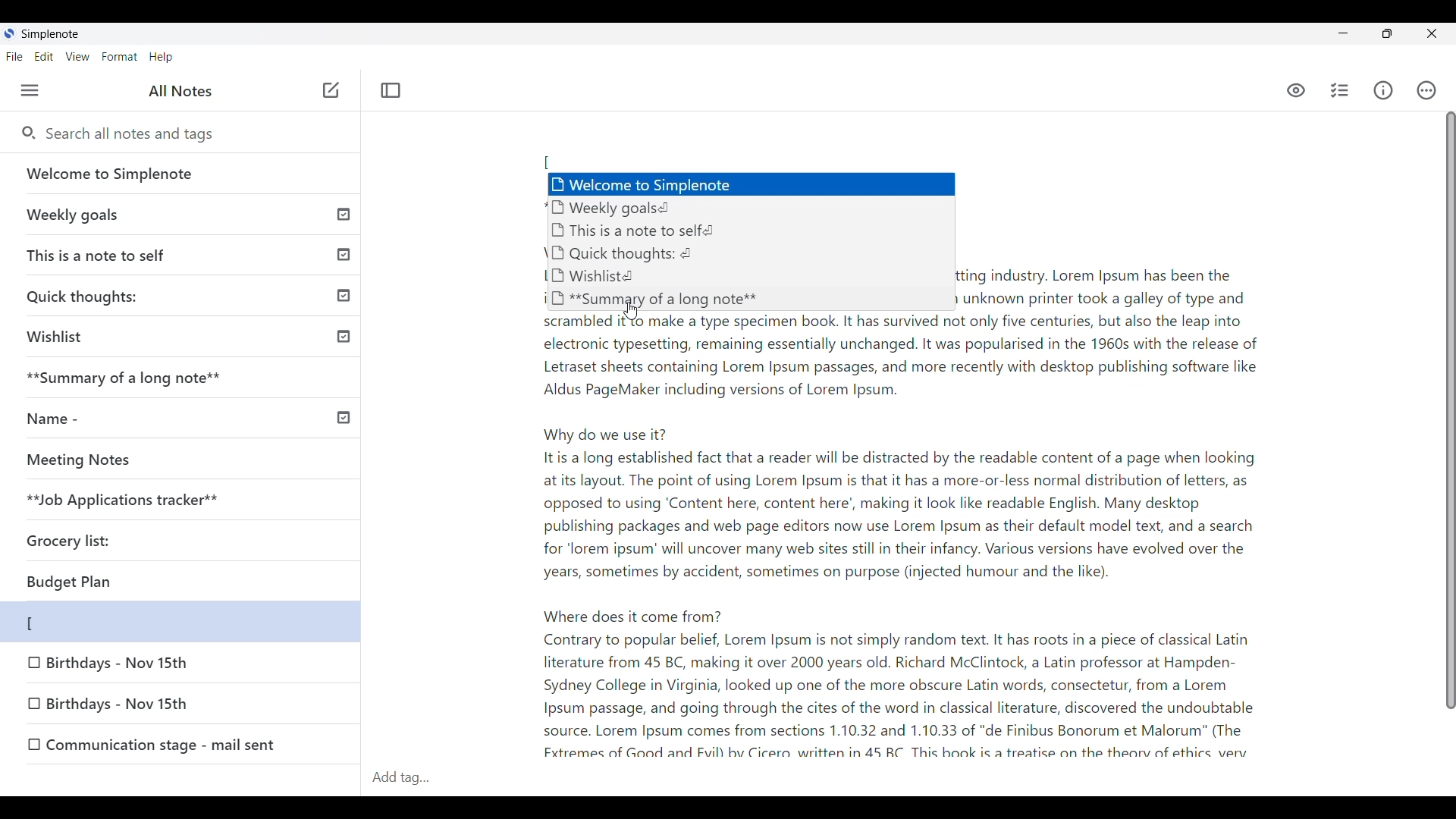 Image resolution: width=1456 pixels, height=819 pixels. I want to click on Weekly goals, so click(748, 209).